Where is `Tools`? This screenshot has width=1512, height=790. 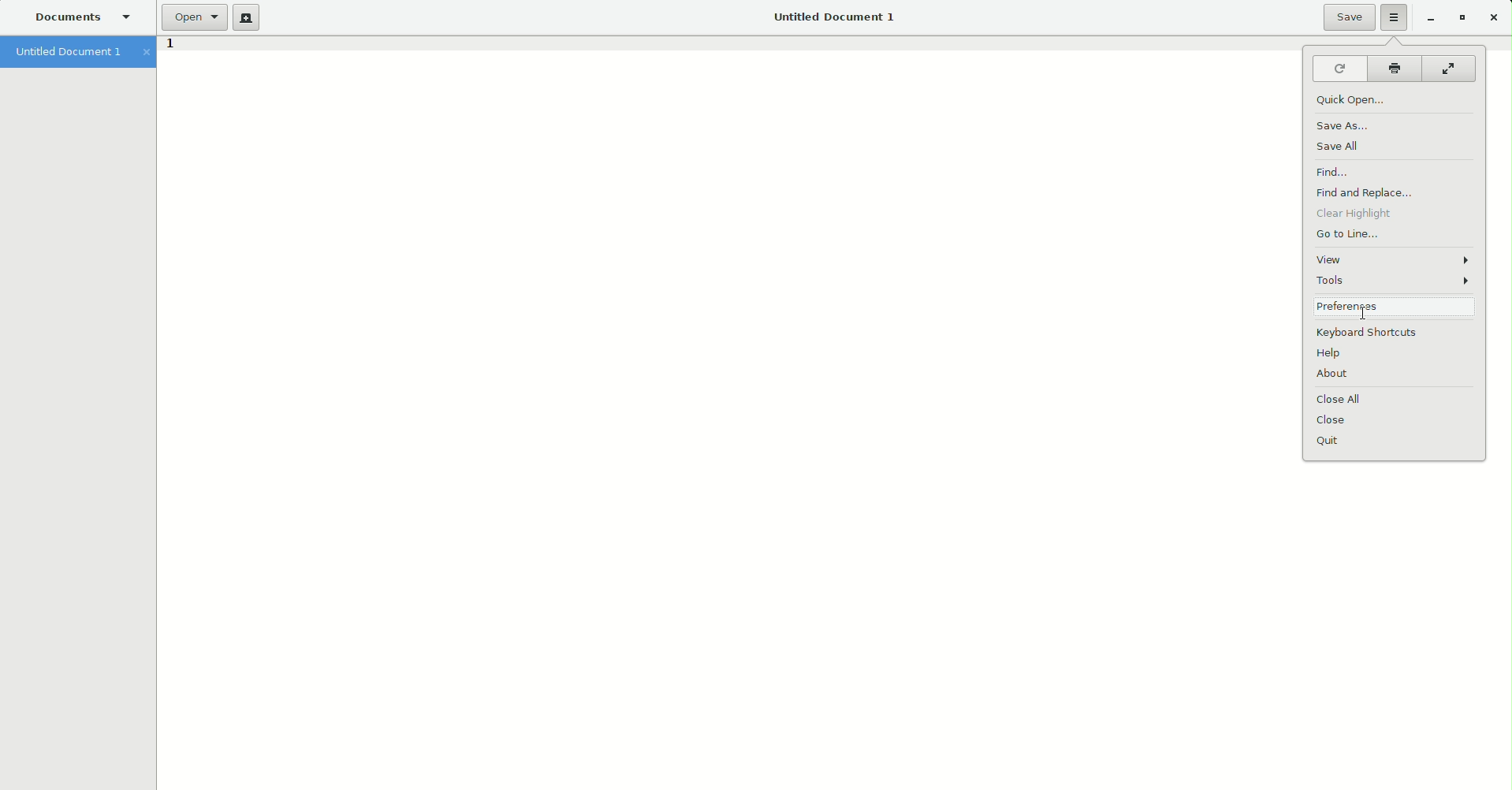 Tools is located at coordinates (1392, 282).